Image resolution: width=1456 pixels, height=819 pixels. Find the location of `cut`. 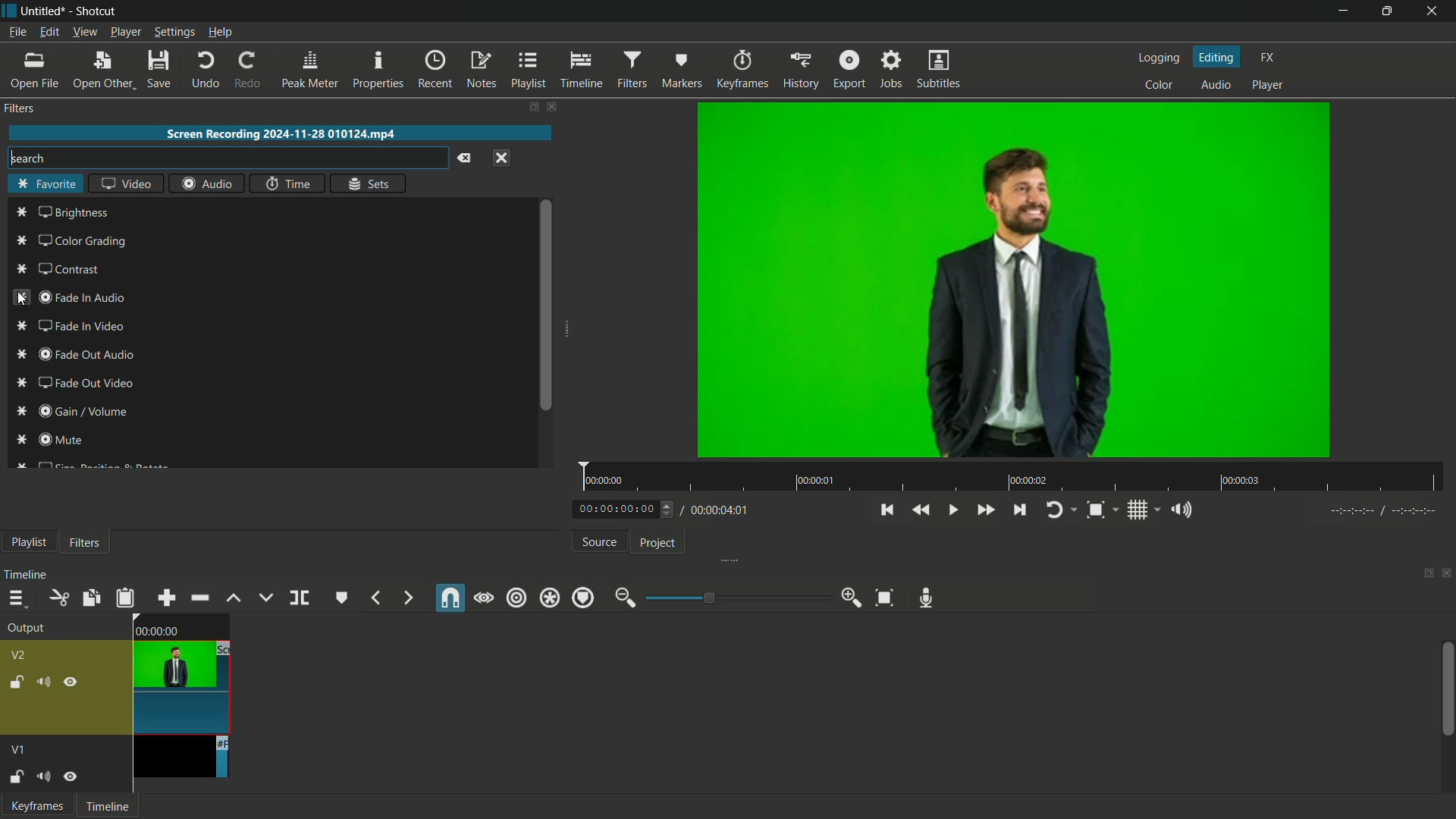

cut is located at coordinates (57, 597).